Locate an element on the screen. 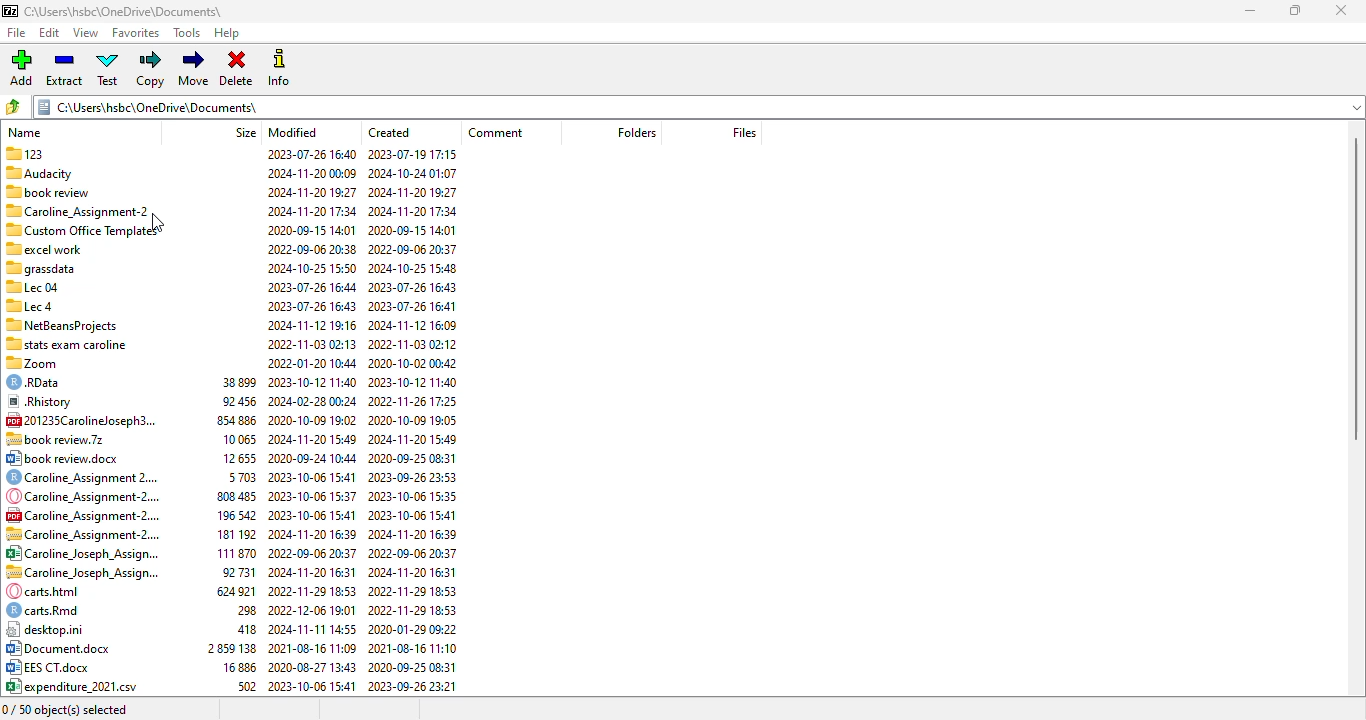 The image size is (1366, 720). 2024-11-20 17:34 is located at coordinates (311, 210).